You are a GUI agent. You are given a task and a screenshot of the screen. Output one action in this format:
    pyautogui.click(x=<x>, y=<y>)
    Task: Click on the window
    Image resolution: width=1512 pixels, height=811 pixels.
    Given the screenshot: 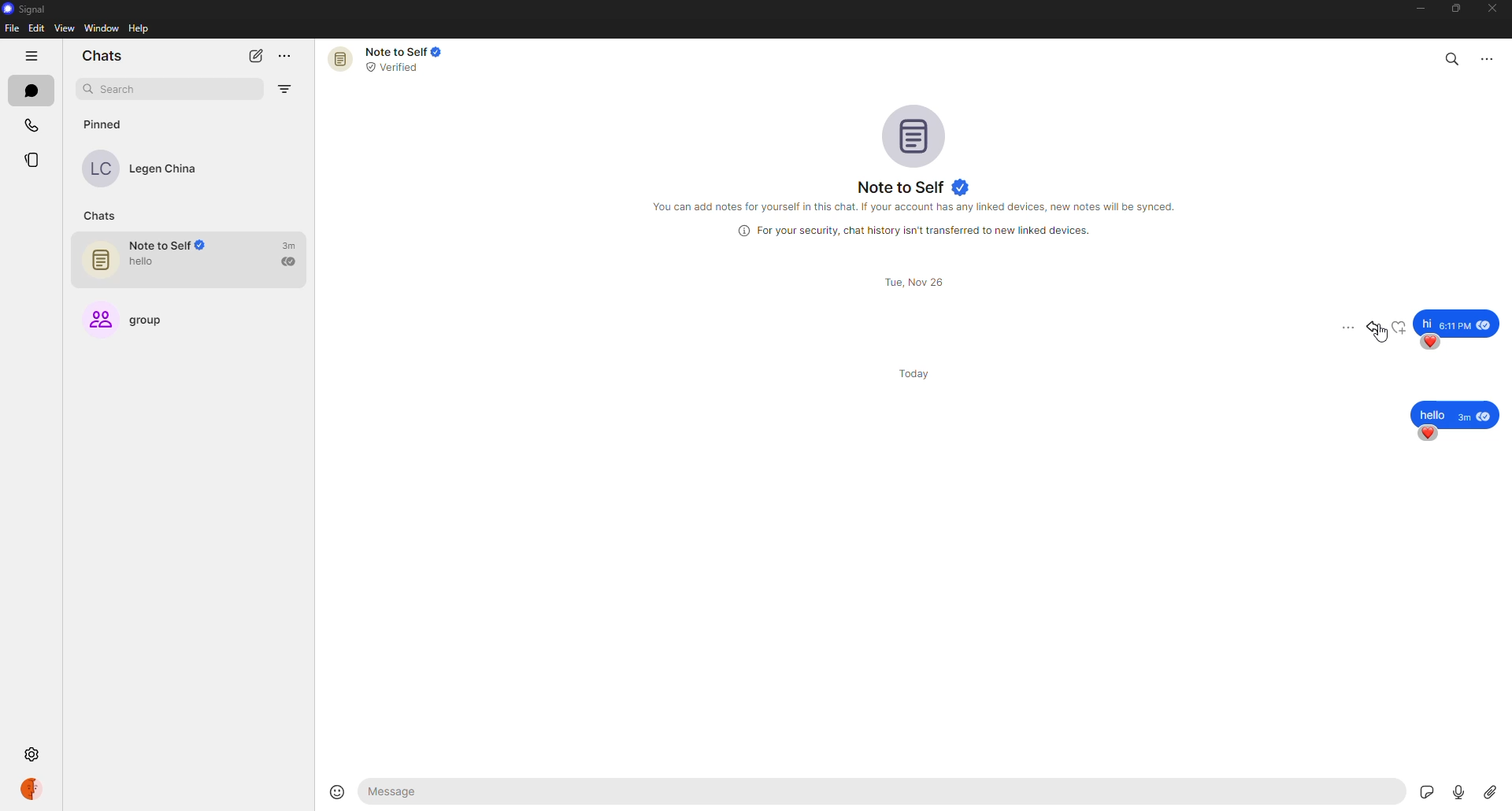 What is the action you would take?
    pyautogui.click(x=101, y=28)
    